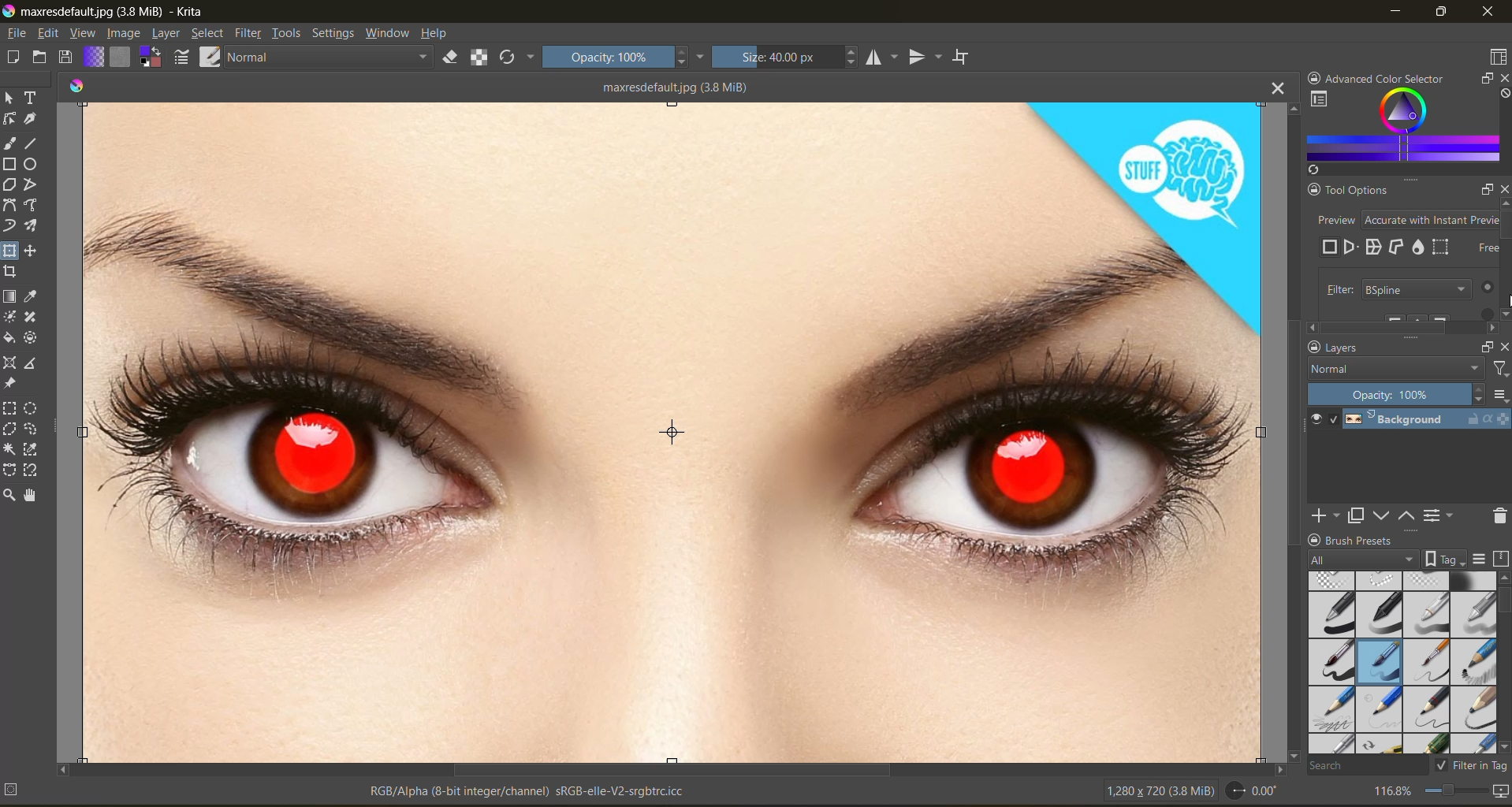 The image size is (1512, 807). What do you see at coordinates (1360, 561) in the screenshot?
I see `tag` at bounding box center [1360, 561].